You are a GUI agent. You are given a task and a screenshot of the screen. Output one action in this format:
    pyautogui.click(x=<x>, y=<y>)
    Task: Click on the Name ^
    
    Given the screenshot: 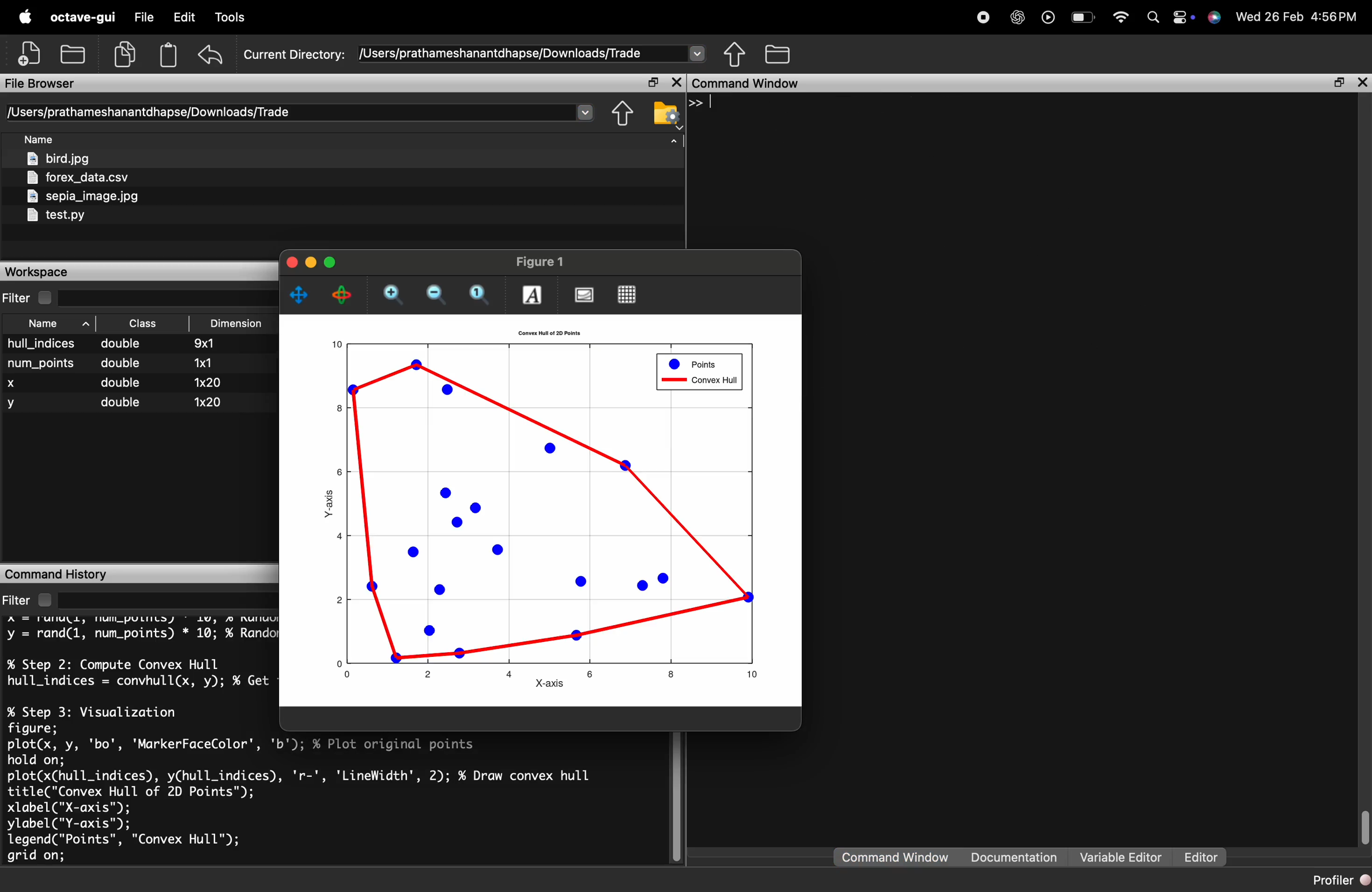 What is the action you would take?
    pyautogui.click(x=59, y=323)
    